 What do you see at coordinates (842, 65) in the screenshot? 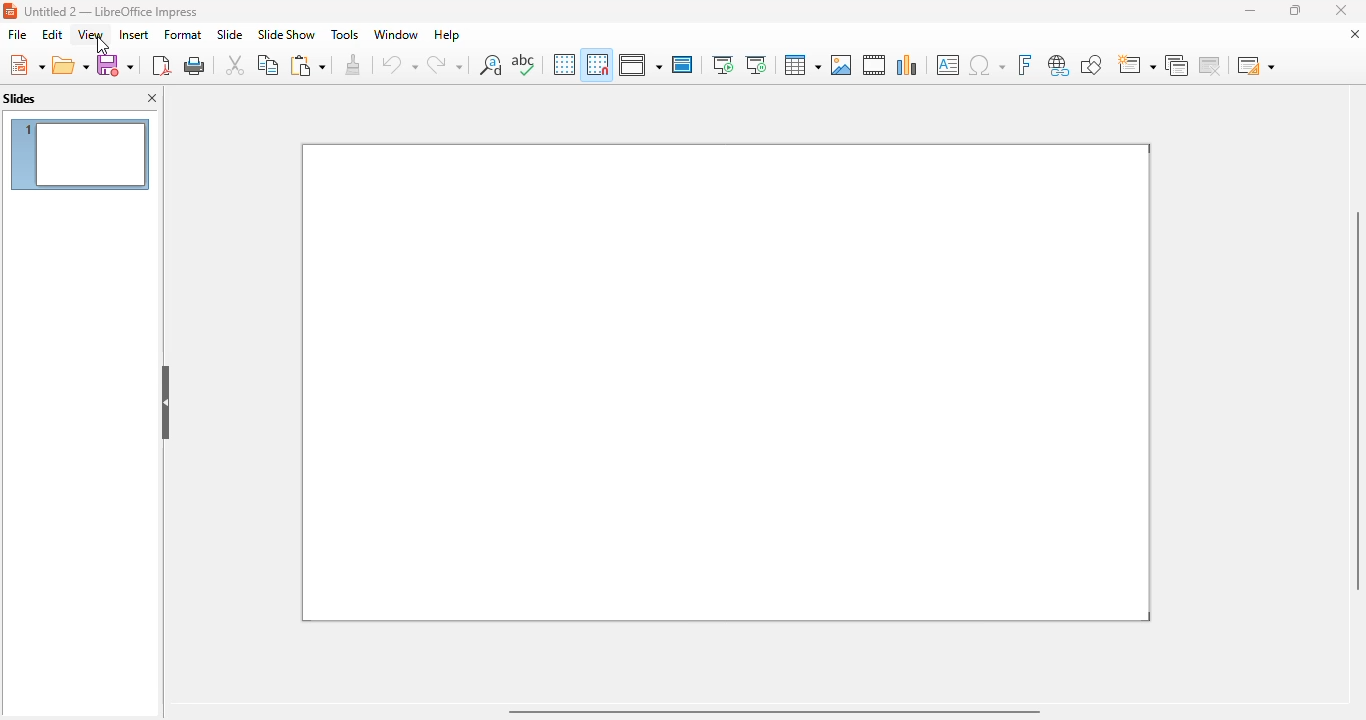
I see `insert image` at bounding box center [842, 65].